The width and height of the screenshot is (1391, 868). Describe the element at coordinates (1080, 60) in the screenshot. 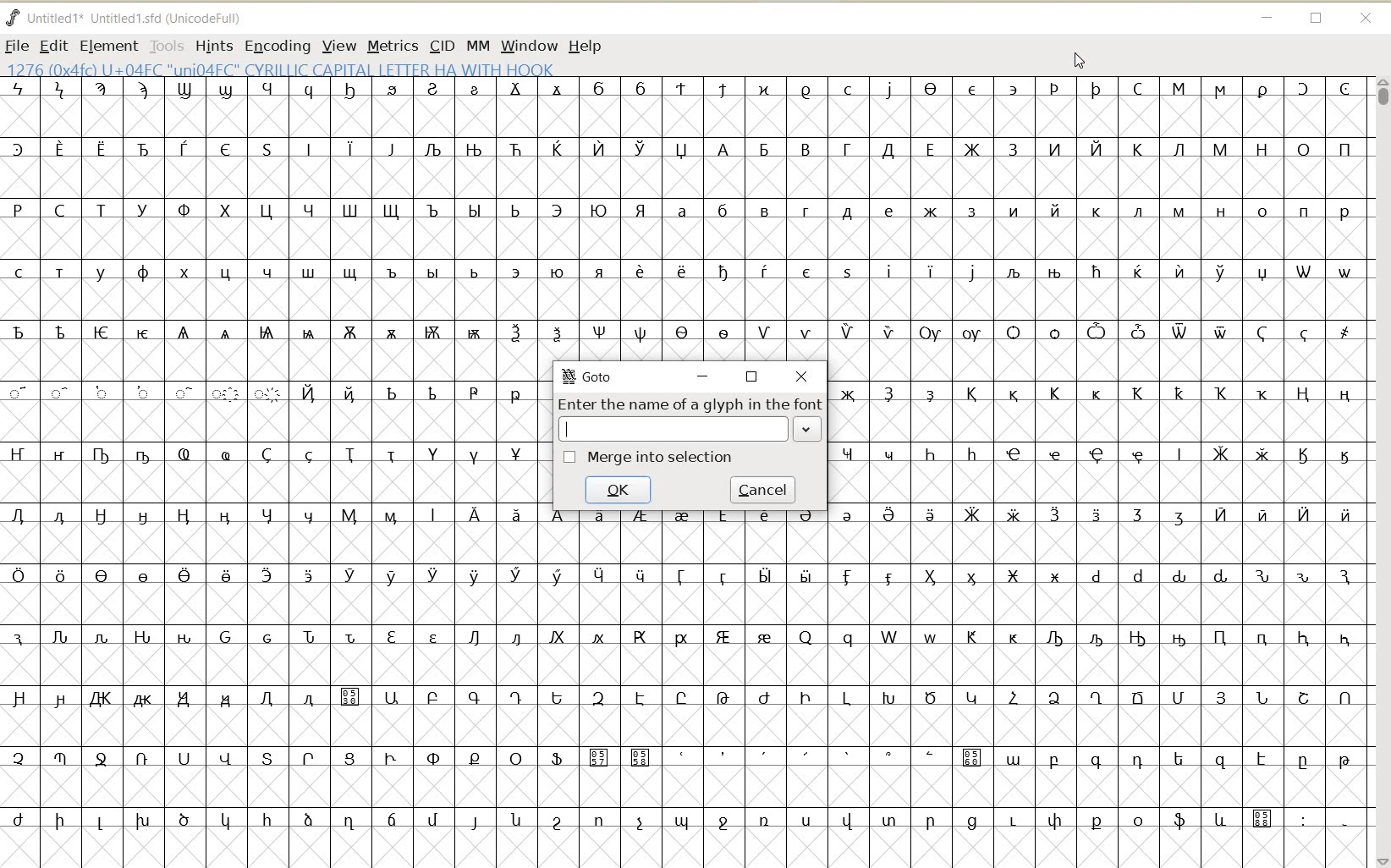

I see `CURSOR` at that location.